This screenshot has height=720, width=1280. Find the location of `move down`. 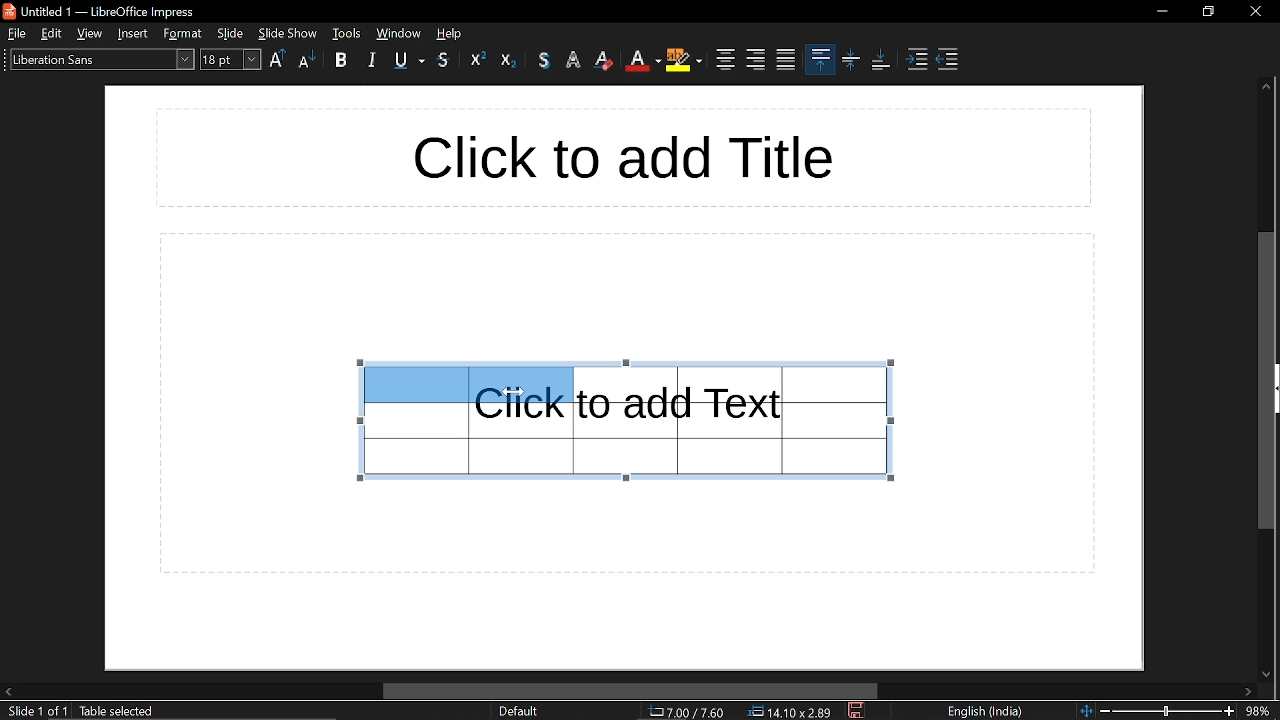

move down is located at coordinates (1268, 673).